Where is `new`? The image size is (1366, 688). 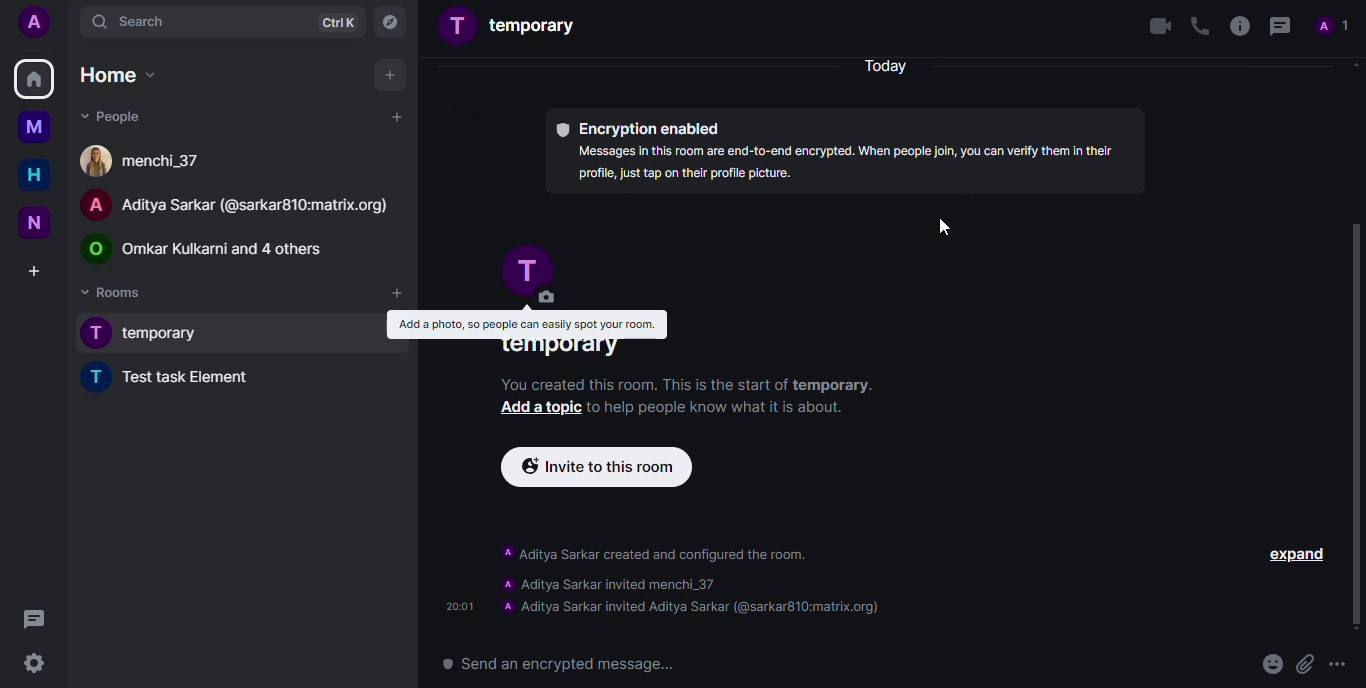
new is located at coordinates (31, 221).